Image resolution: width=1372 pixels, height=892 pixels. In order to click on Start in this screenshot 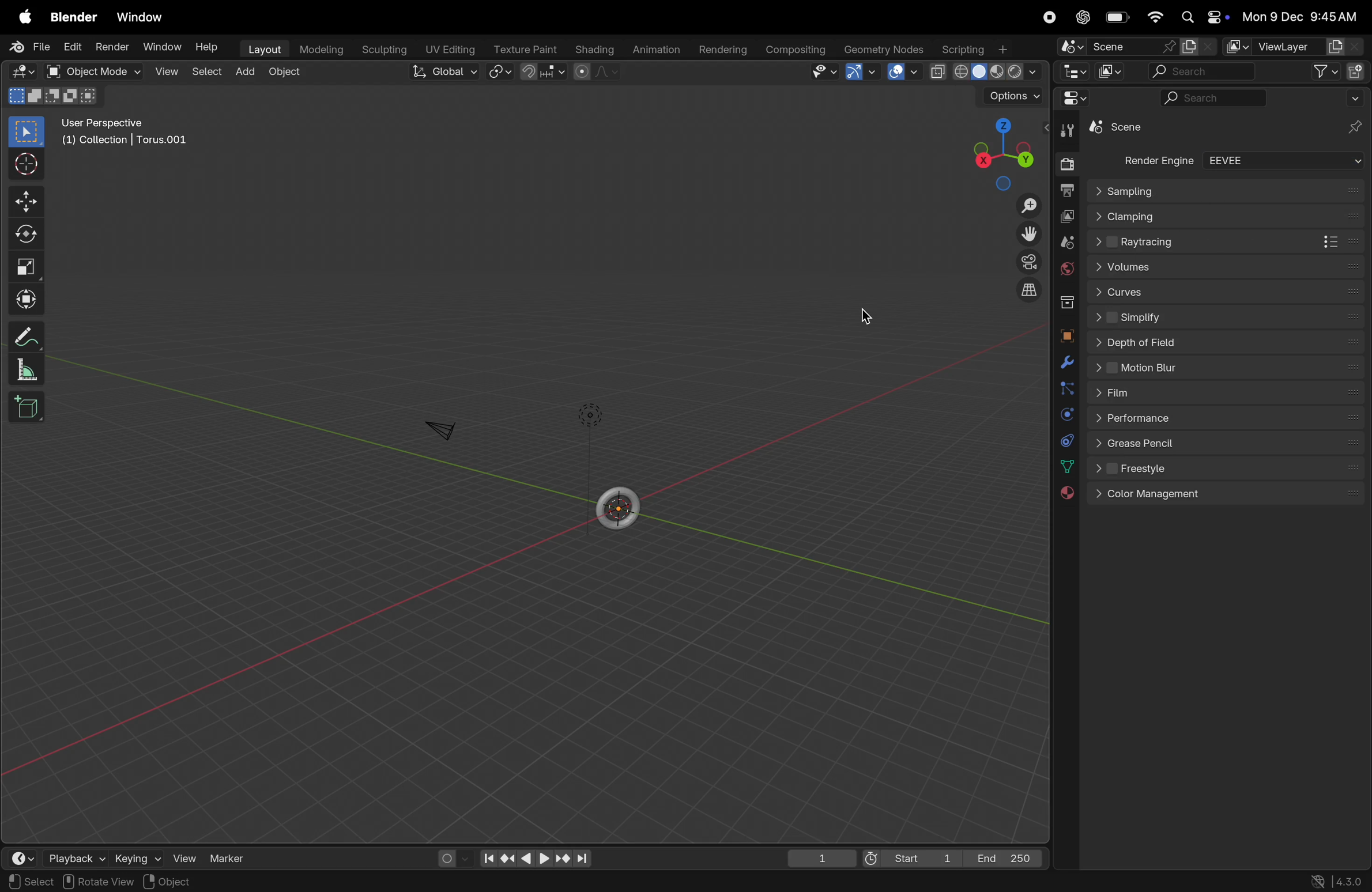, I will do `click(909, 857)`.